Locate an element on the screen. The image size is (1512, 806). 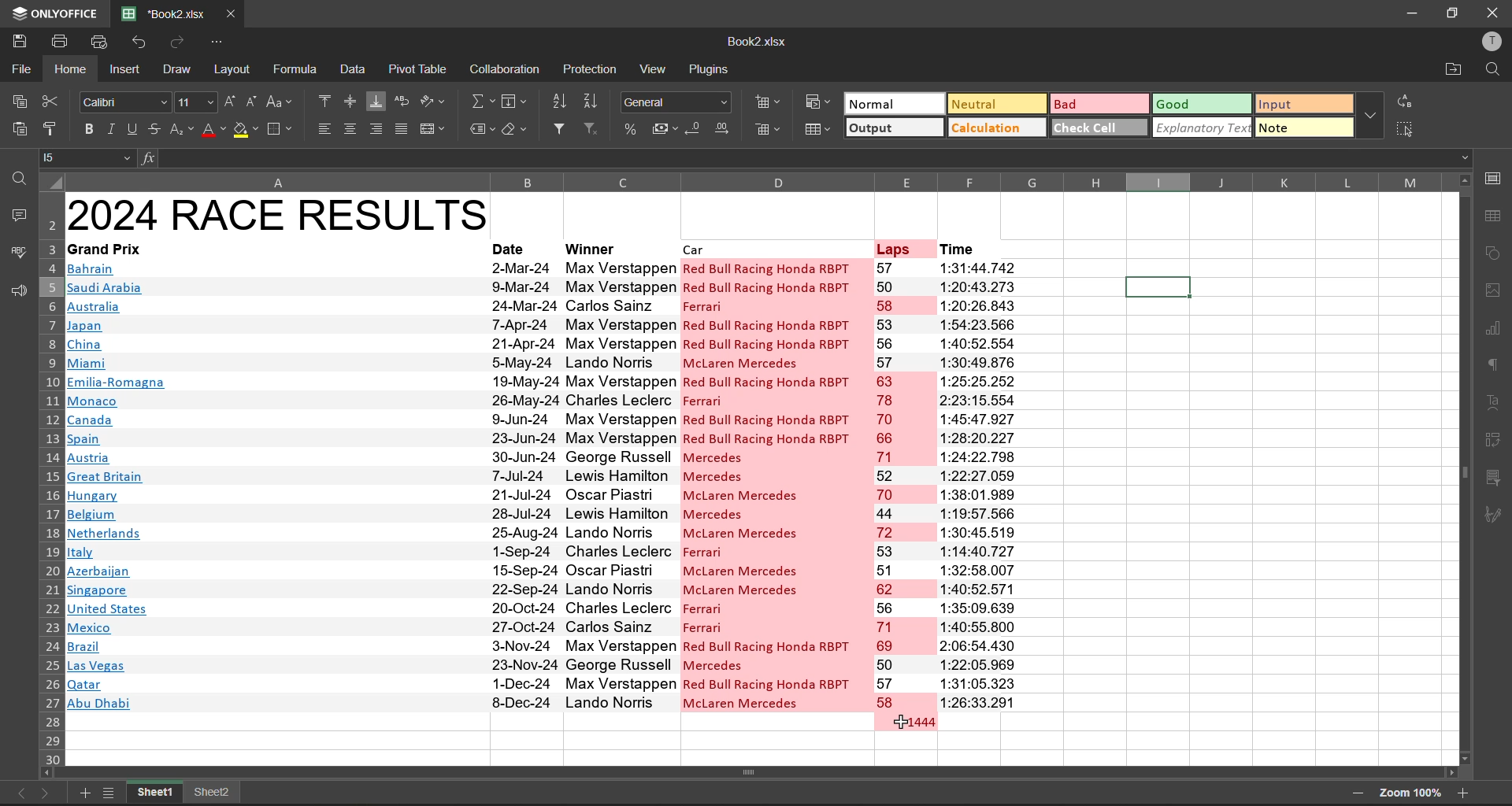
time is located at coordinates (980, 486).